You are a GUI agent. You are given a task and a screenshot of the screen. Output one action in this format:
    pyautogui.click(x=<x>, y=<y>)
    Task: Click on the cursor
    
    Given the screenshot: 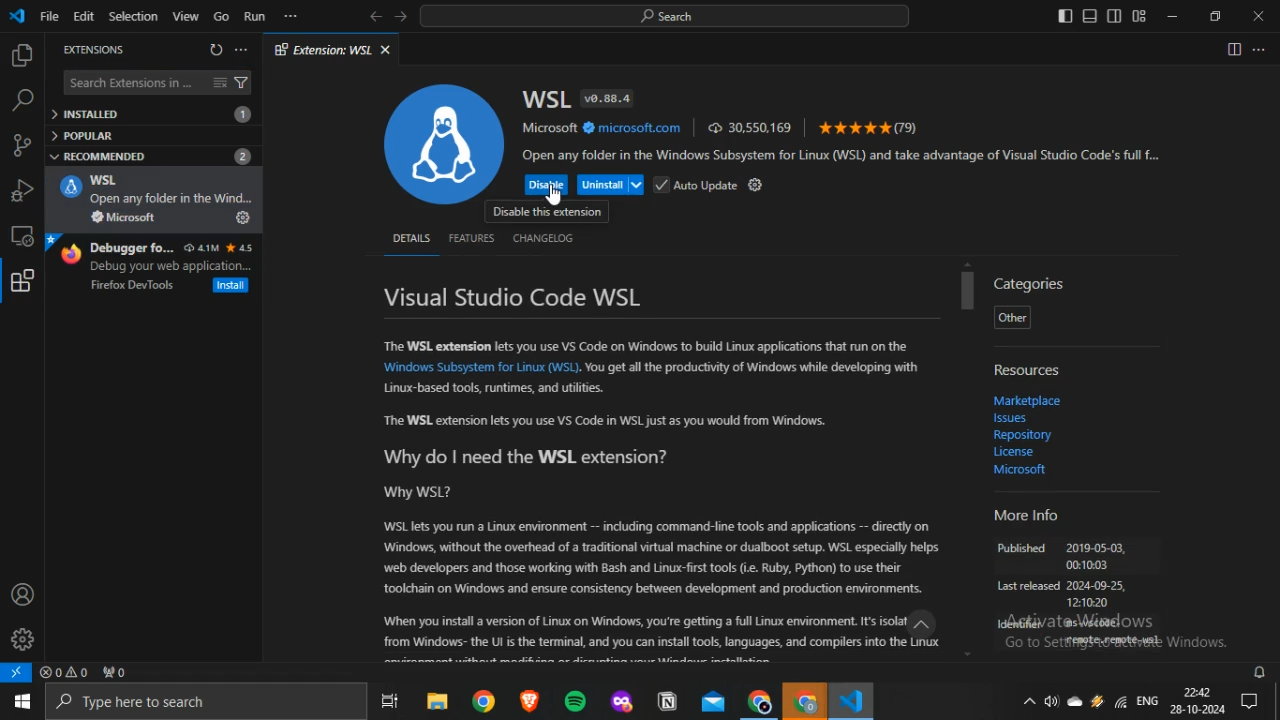 What is the action you would take?
    pyautogui.click(x=553, y=195)
    